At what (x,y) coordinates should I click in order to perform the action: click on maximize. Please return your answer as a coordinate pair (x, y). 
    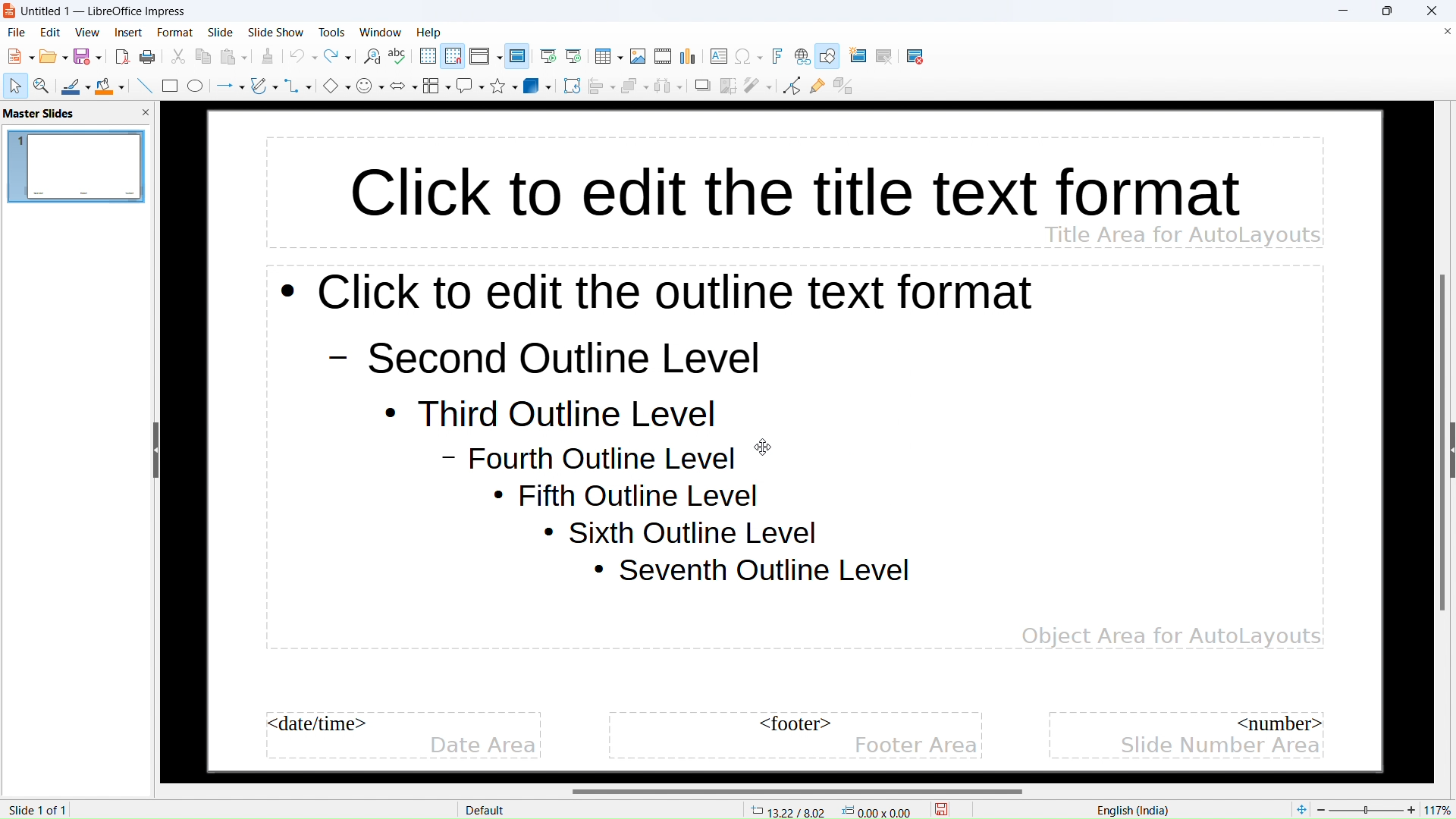
    Looking at the image, I should click on (1386, 11).